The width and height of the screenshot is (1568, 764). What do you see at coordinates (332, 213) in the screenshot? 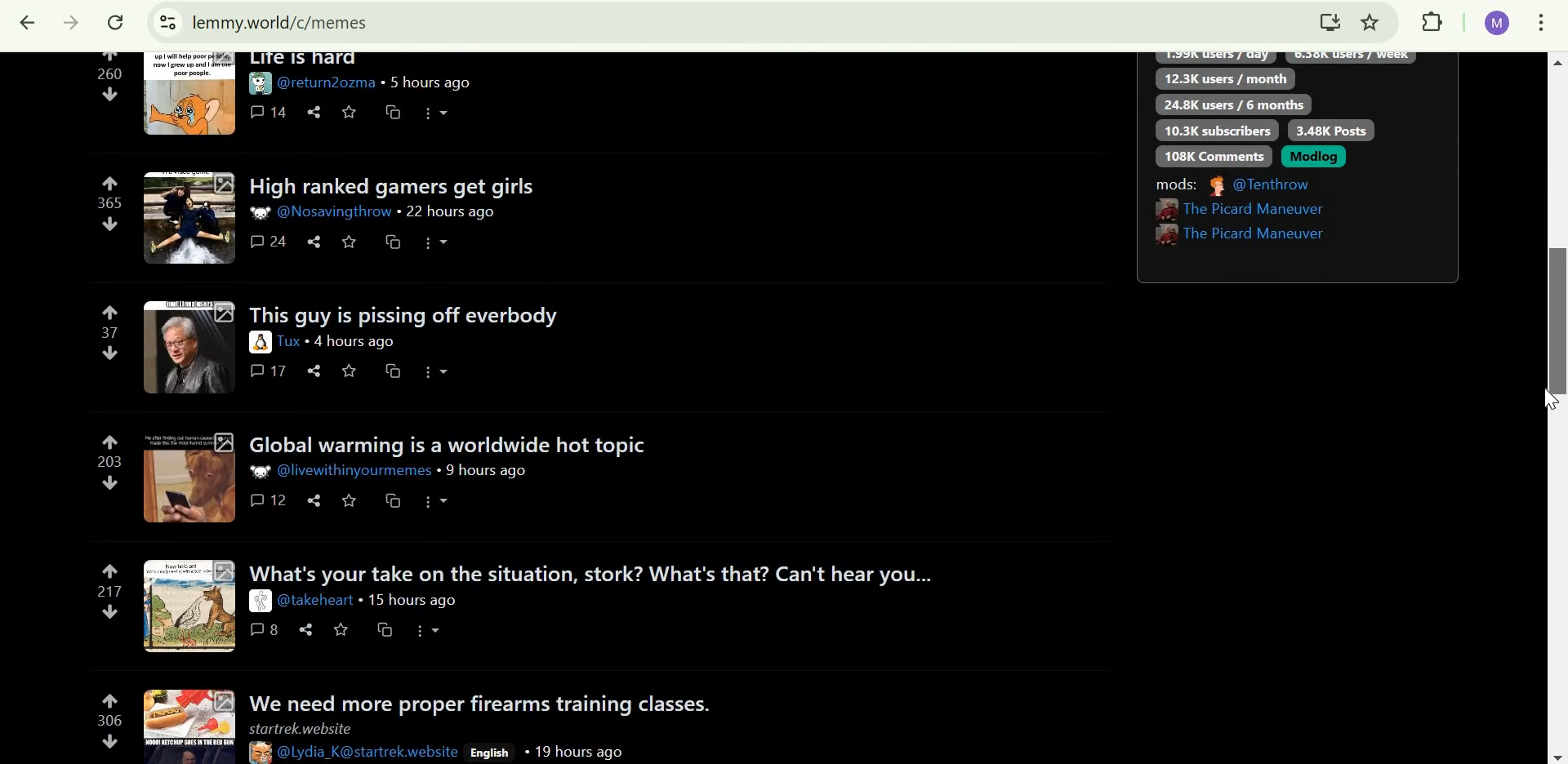
I see `User ID` at bounding box center [332, 213].